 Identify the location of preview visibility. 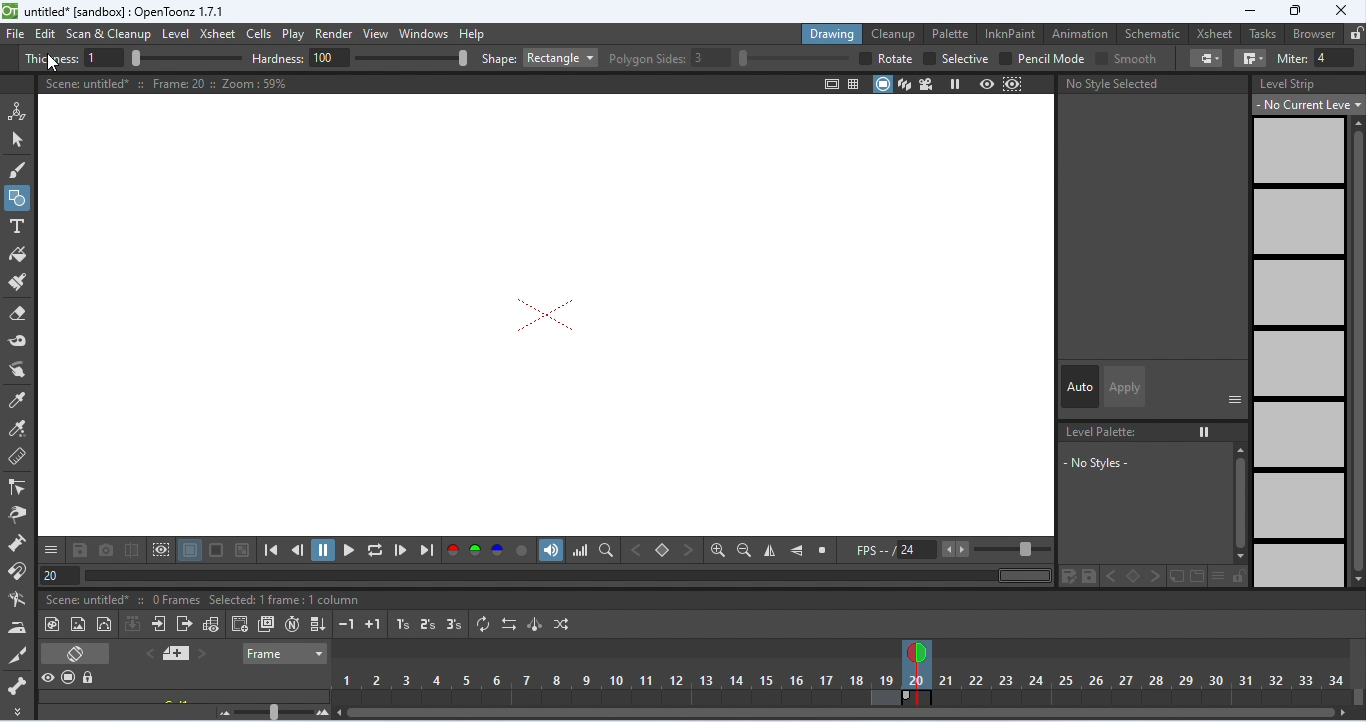
(46, 677).